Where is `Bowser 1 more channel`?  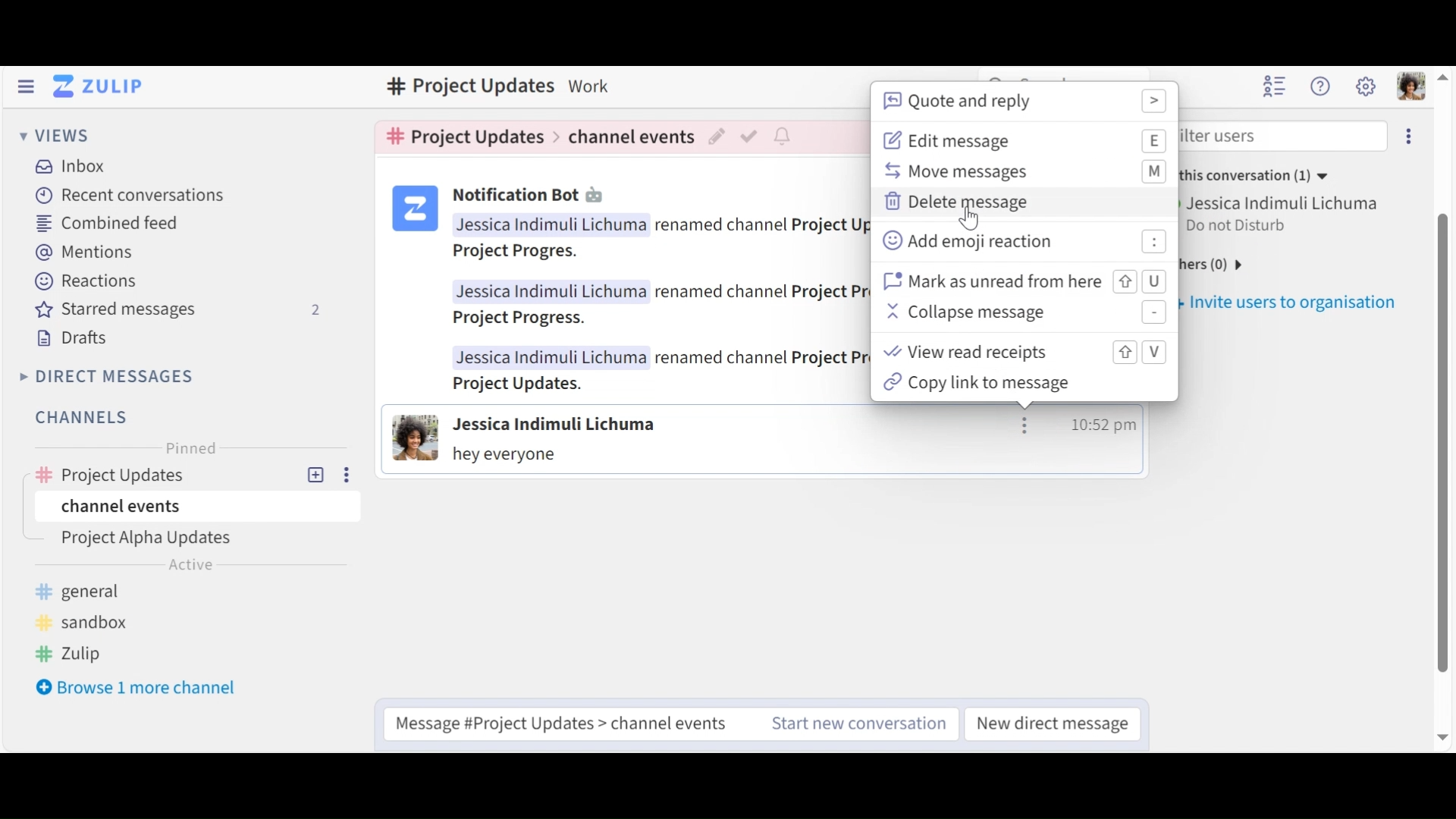
Bowser 1 more channel is located at coordinates (145, 689).